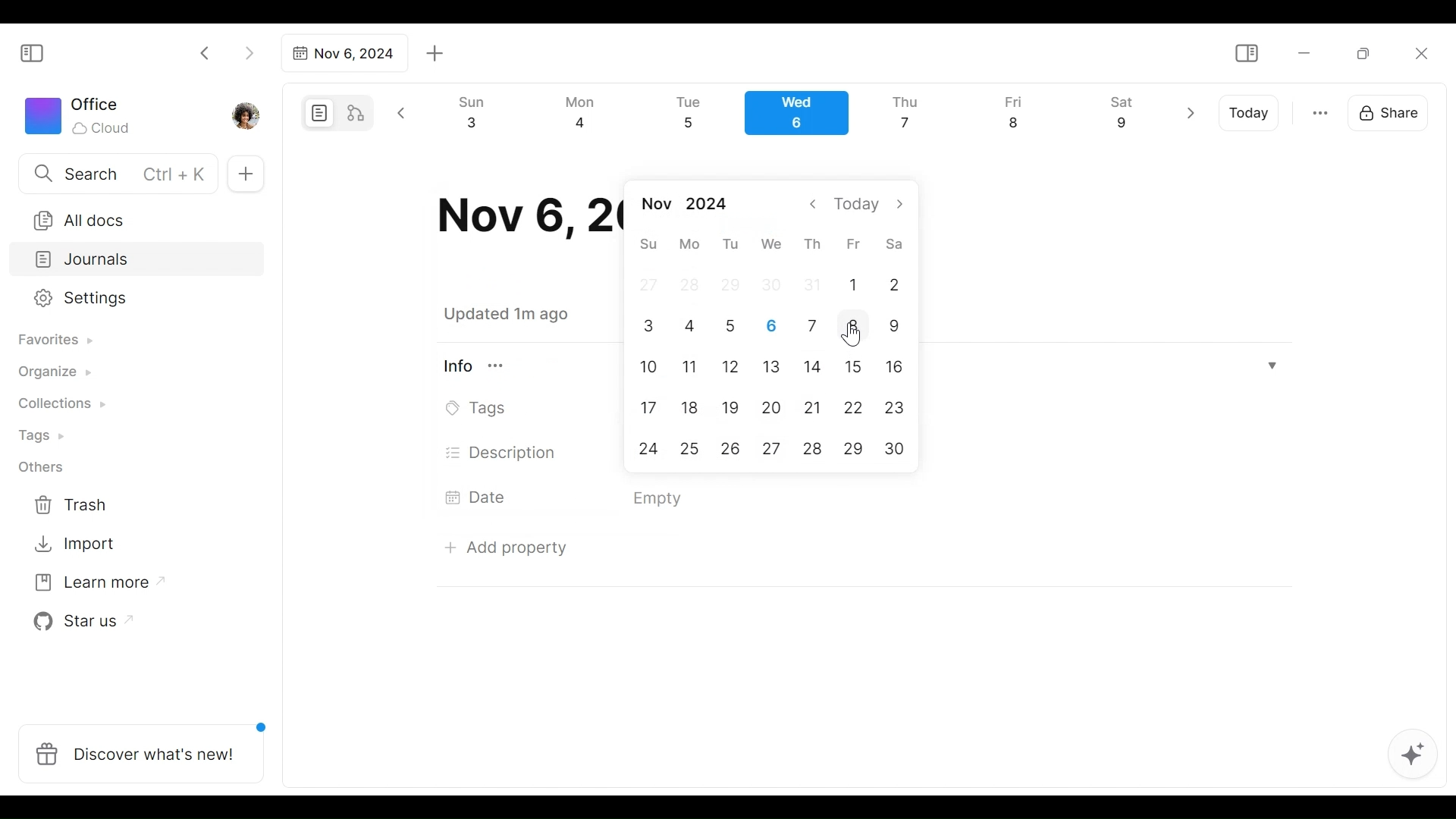  Describe the element at coordinates (1320, 111) in the screenshot. I see `more otions` at that location.